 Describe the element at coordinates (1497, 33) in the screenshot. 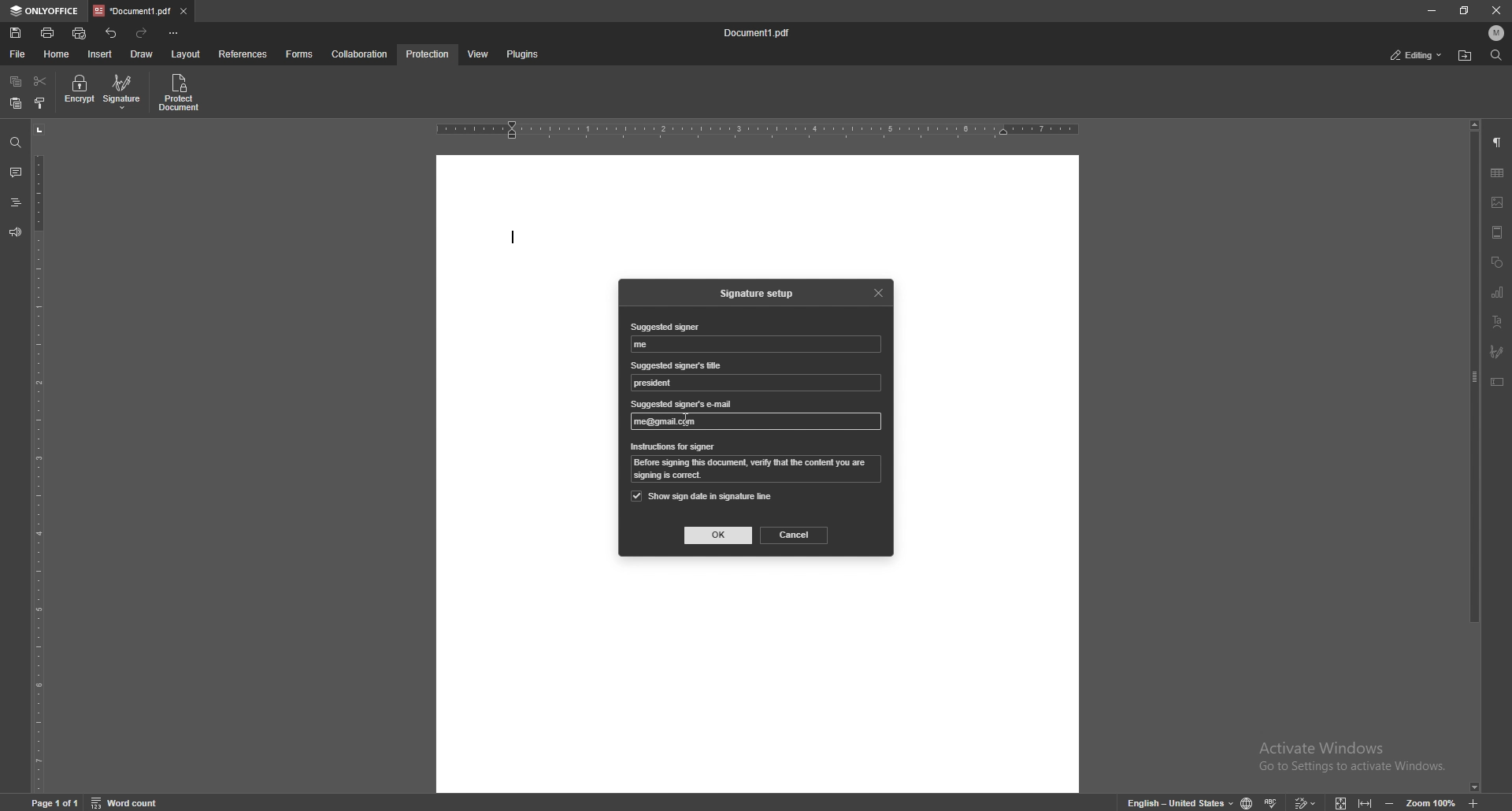

I see `profile` at that location.